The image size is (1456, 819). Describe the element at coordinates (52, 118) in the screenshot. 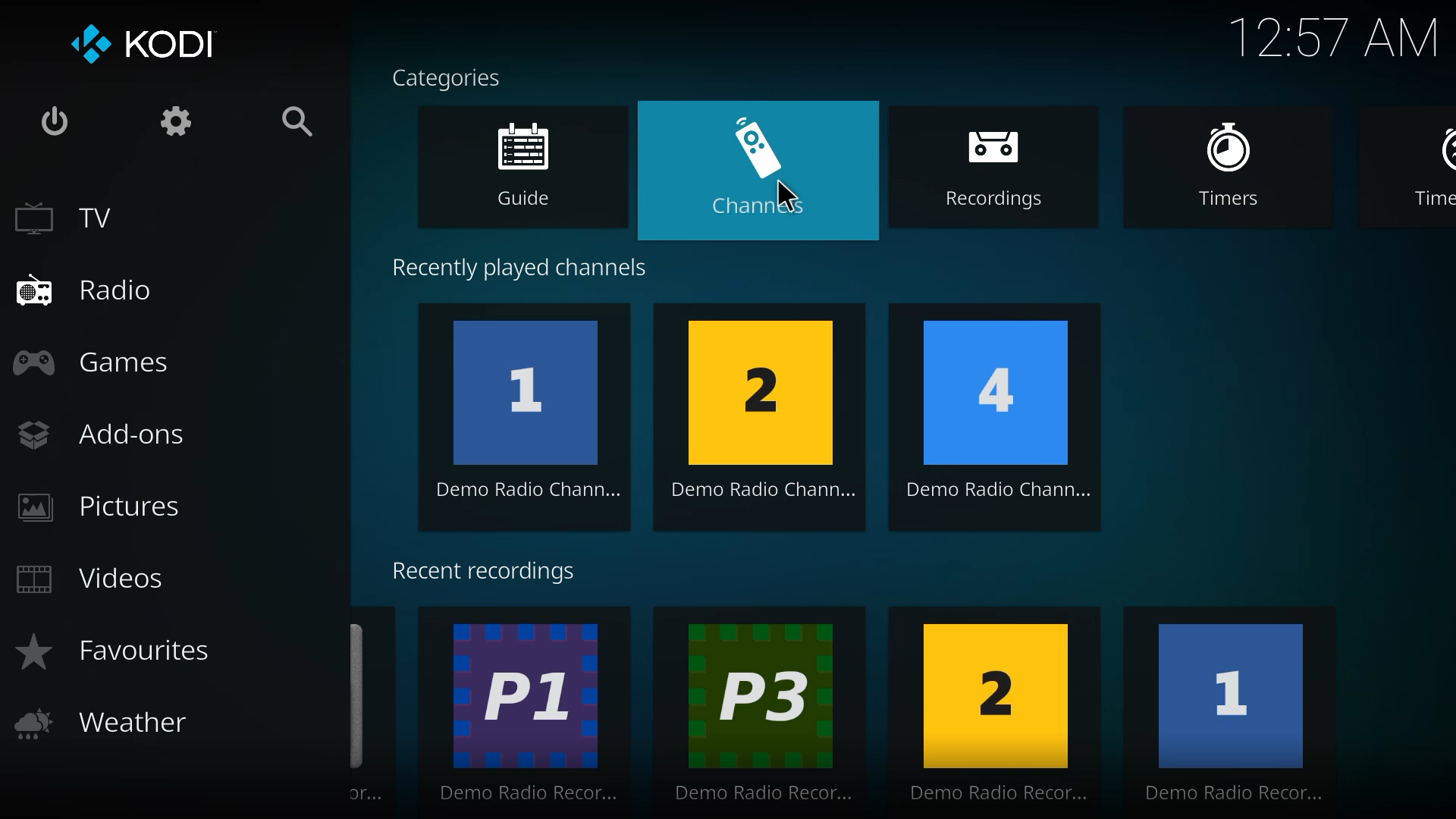

I see `power` at that location.